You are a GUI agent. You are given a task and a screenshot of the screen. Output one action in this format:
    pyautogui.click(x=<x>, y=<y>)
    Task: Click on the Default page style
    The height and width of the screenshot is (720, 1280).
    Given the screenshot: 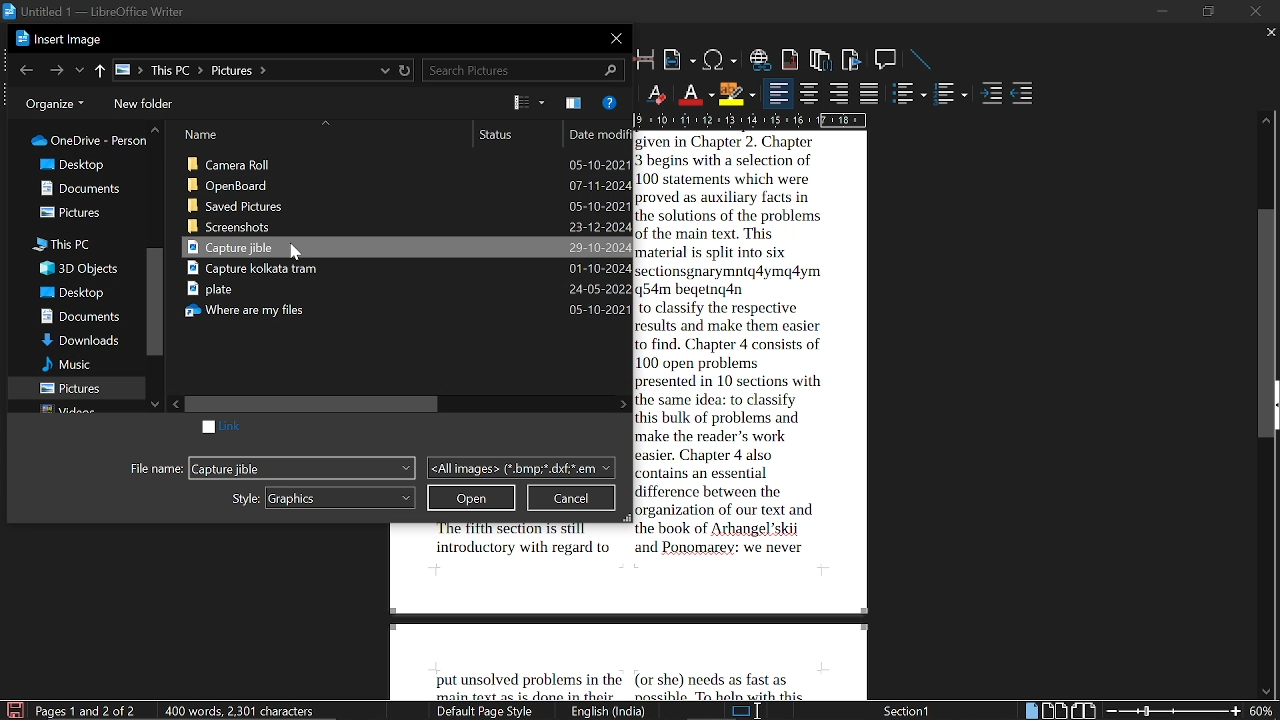 What is the action you would take?
    pyautogui.click(x=488, y=712)
    